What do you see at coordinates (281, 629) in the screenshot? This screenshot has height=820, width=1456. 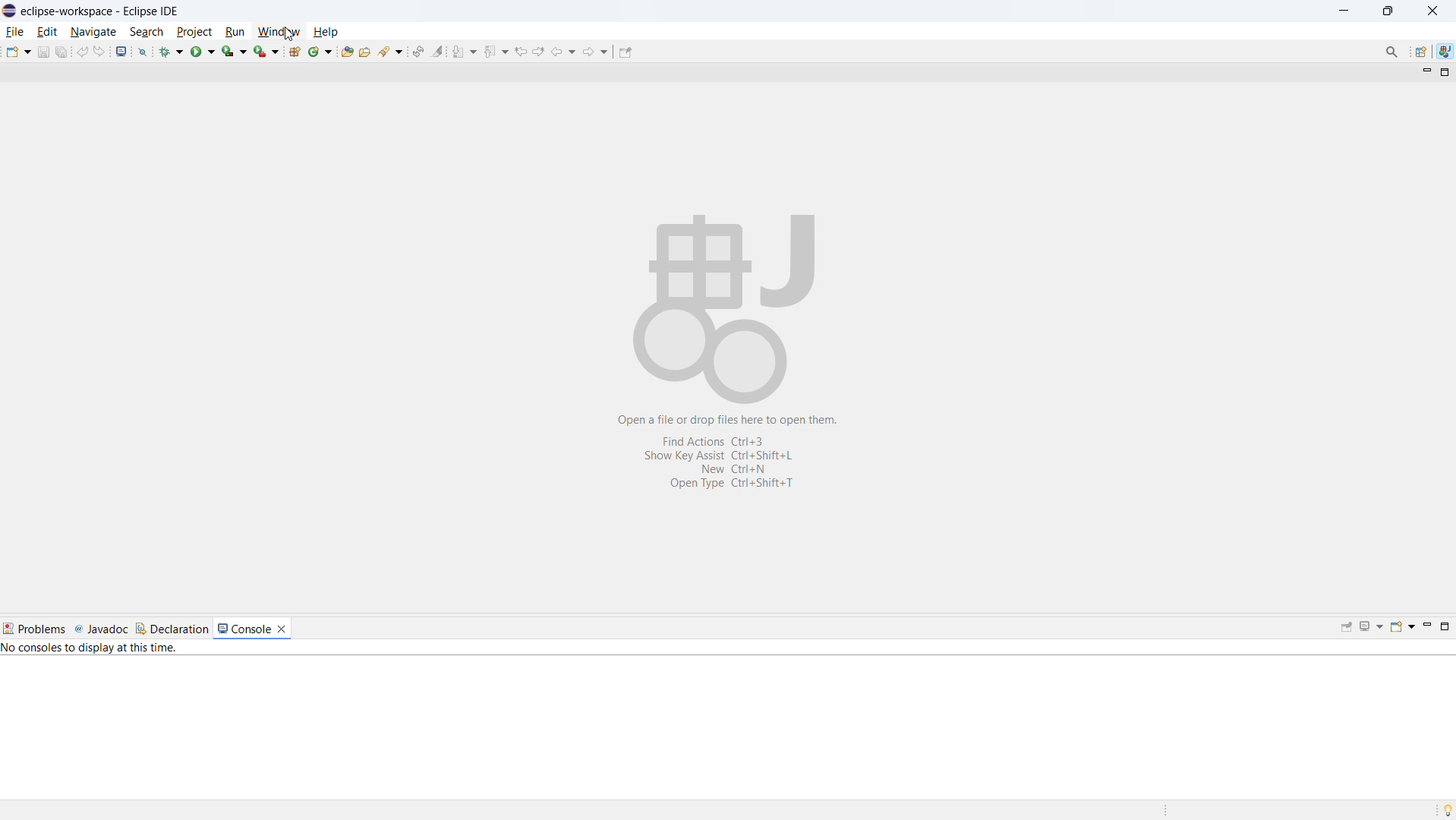 I see `close console` at bounding box center [281, 629].